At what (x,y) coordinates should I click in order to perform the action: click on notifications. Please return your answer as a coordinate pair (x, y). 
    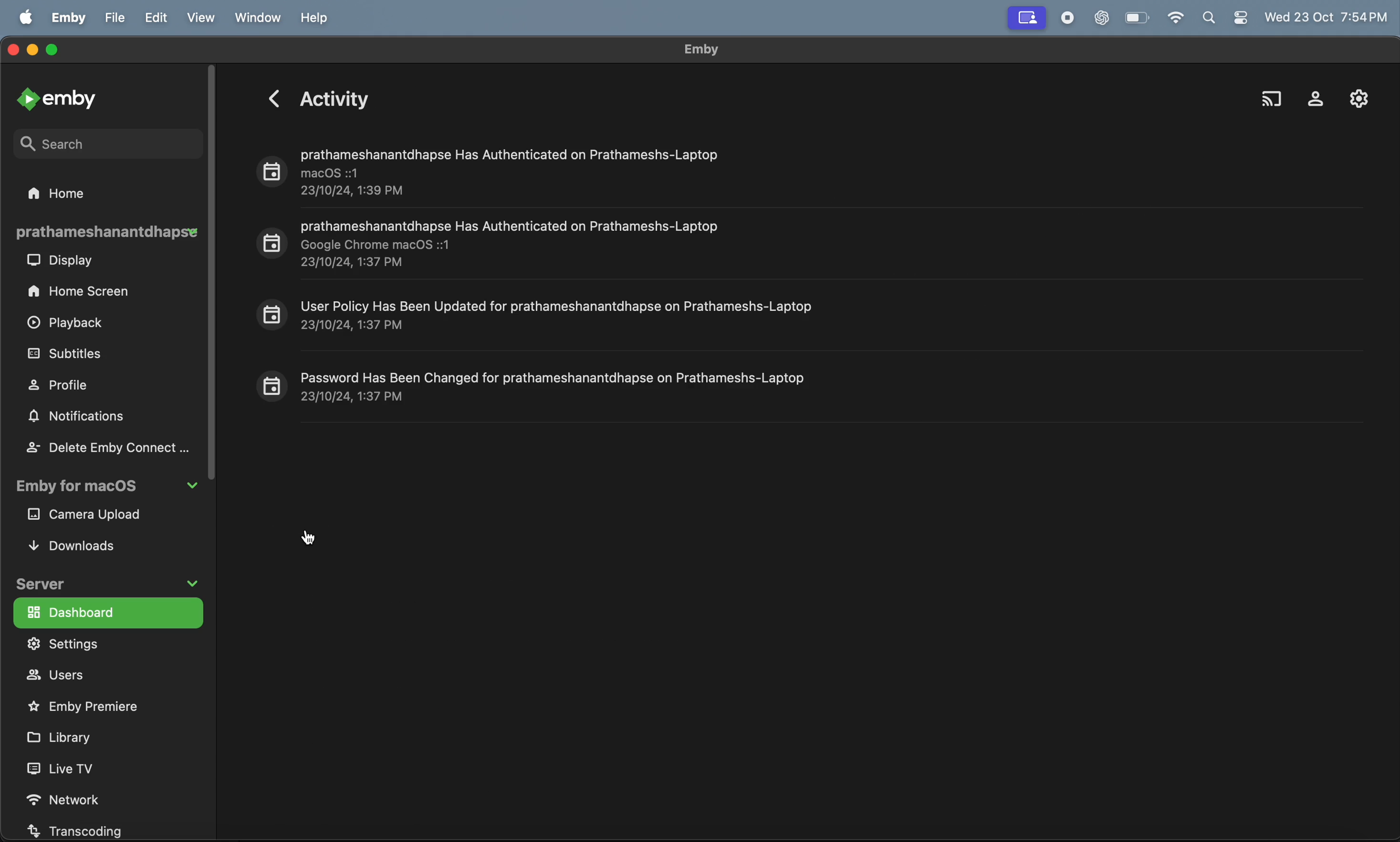
    Looking at the image, I should click on (82, 418).